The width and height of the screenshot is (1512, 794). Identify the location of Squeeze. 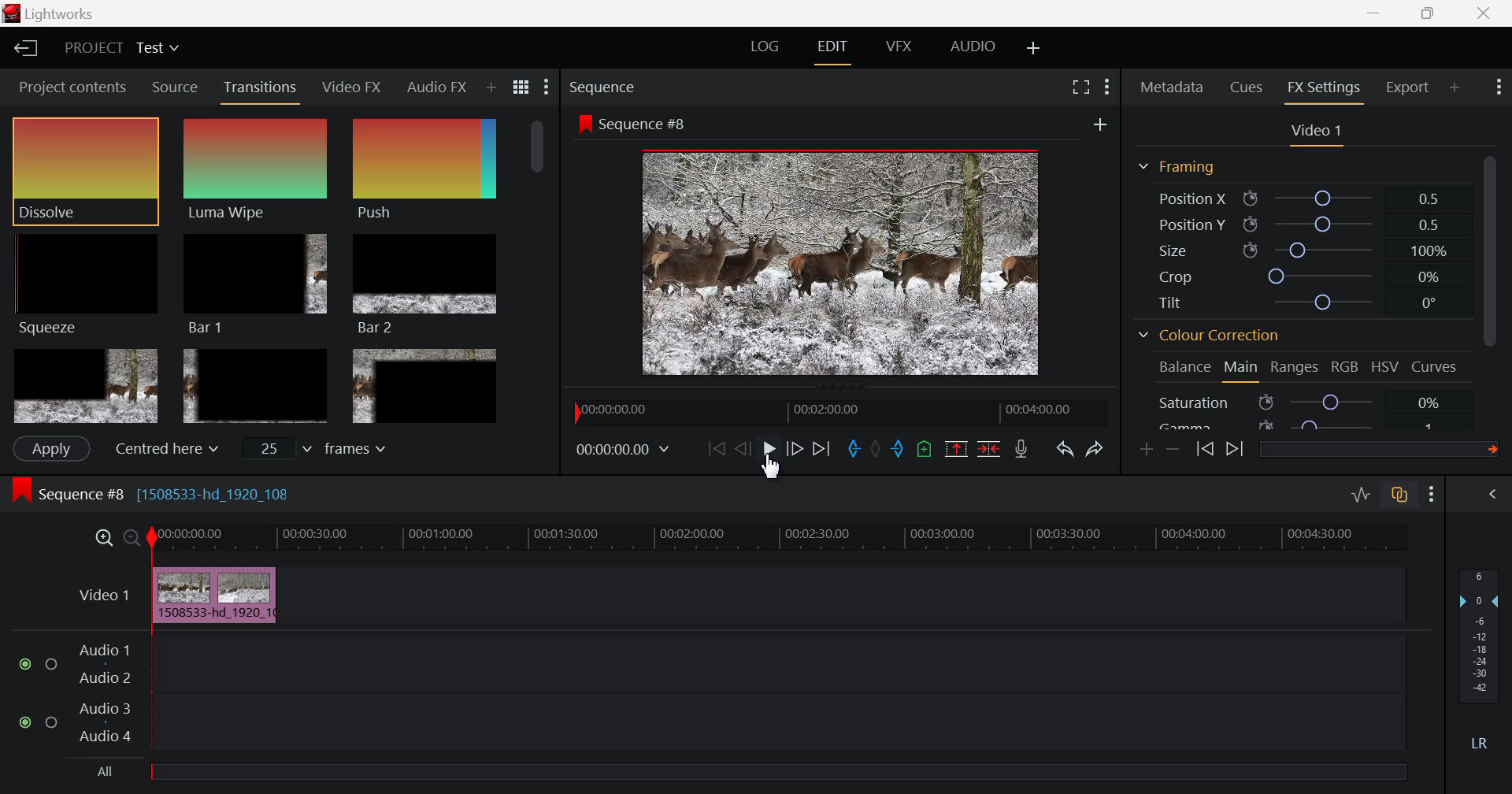
(84, 283).